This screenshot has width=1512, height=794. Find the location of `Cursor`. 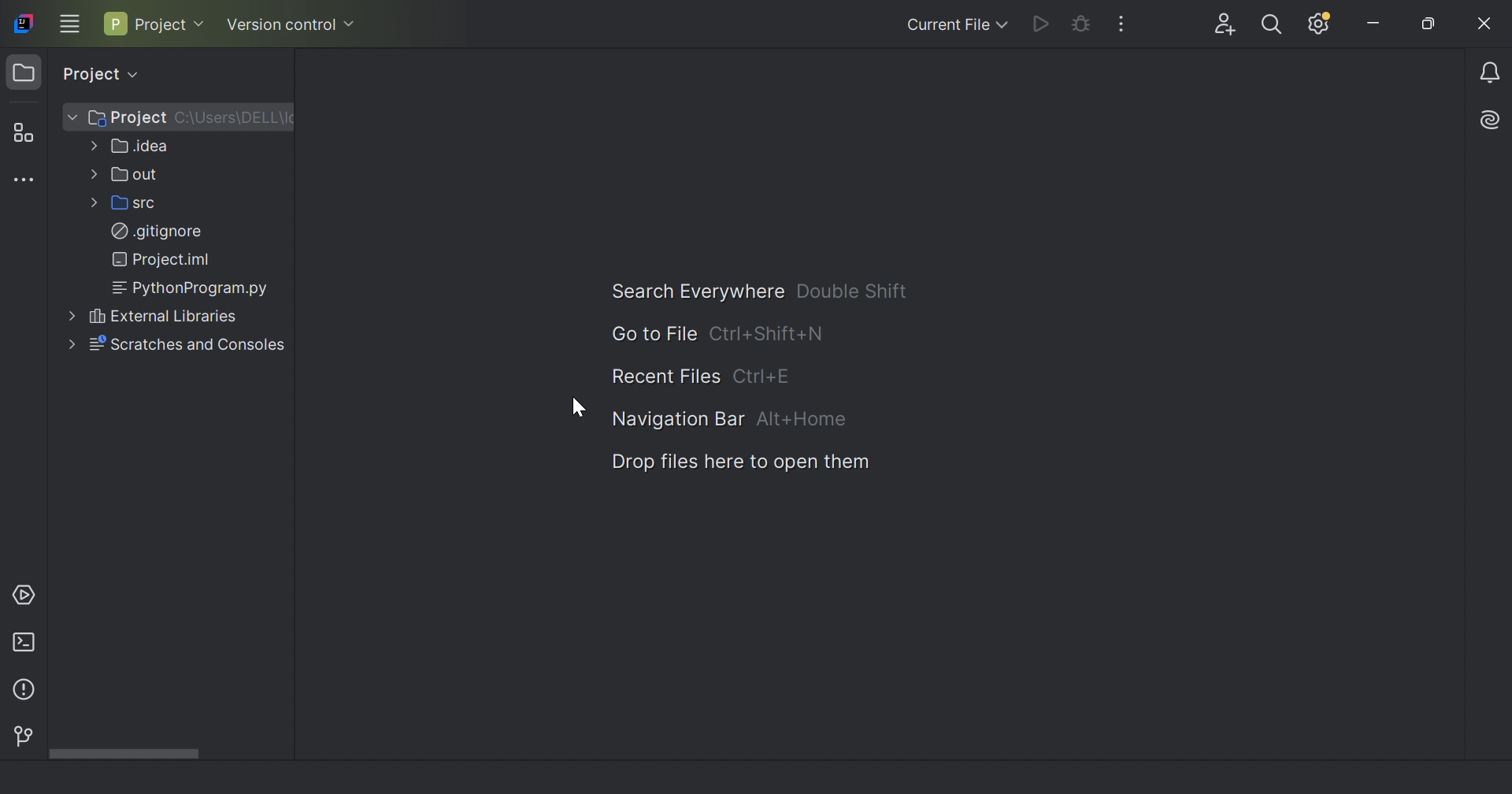

Cursor is located at coordinates (579, 406).